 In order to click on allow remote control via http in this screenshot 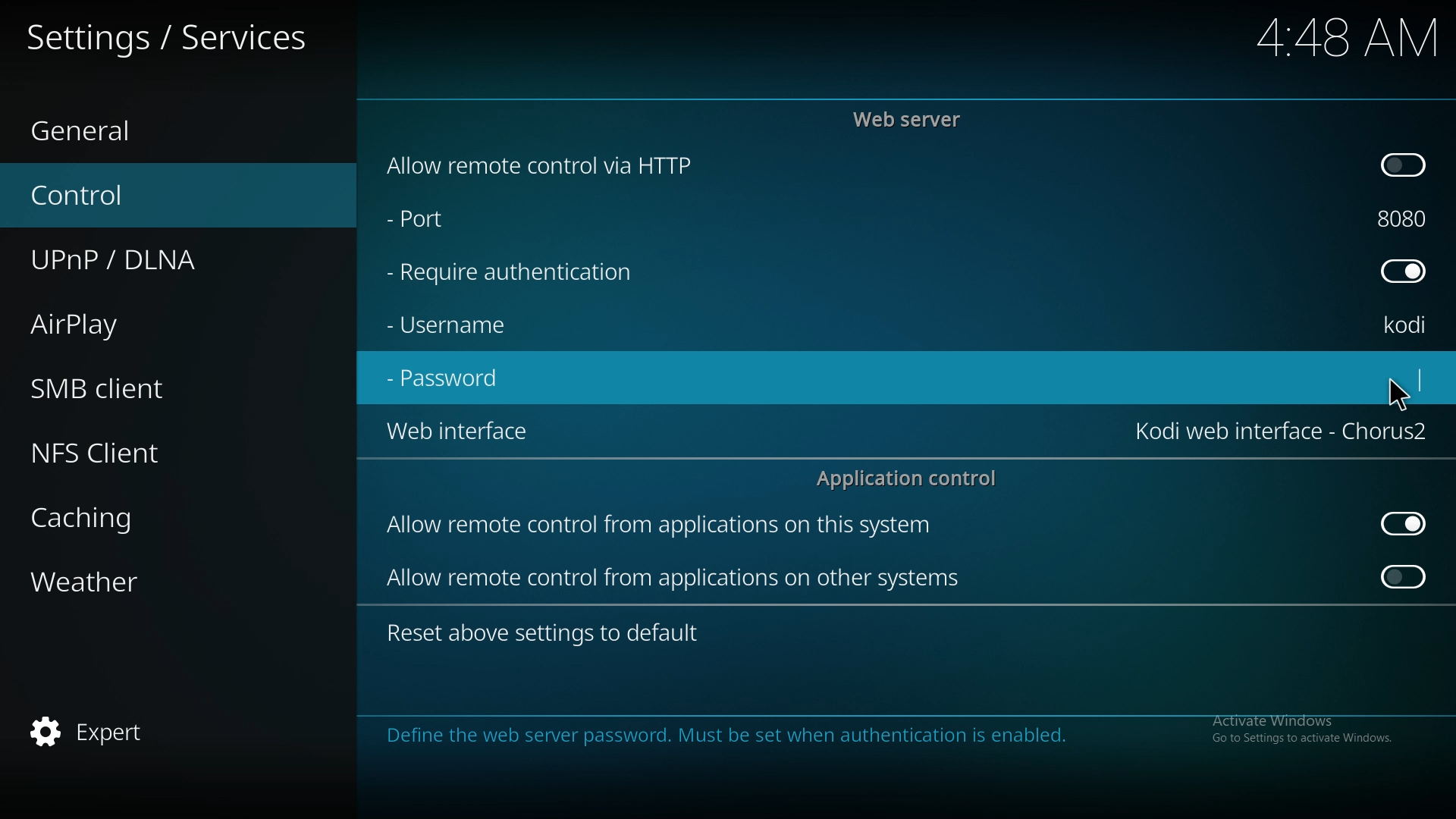, I will do `click(579, 165)`.